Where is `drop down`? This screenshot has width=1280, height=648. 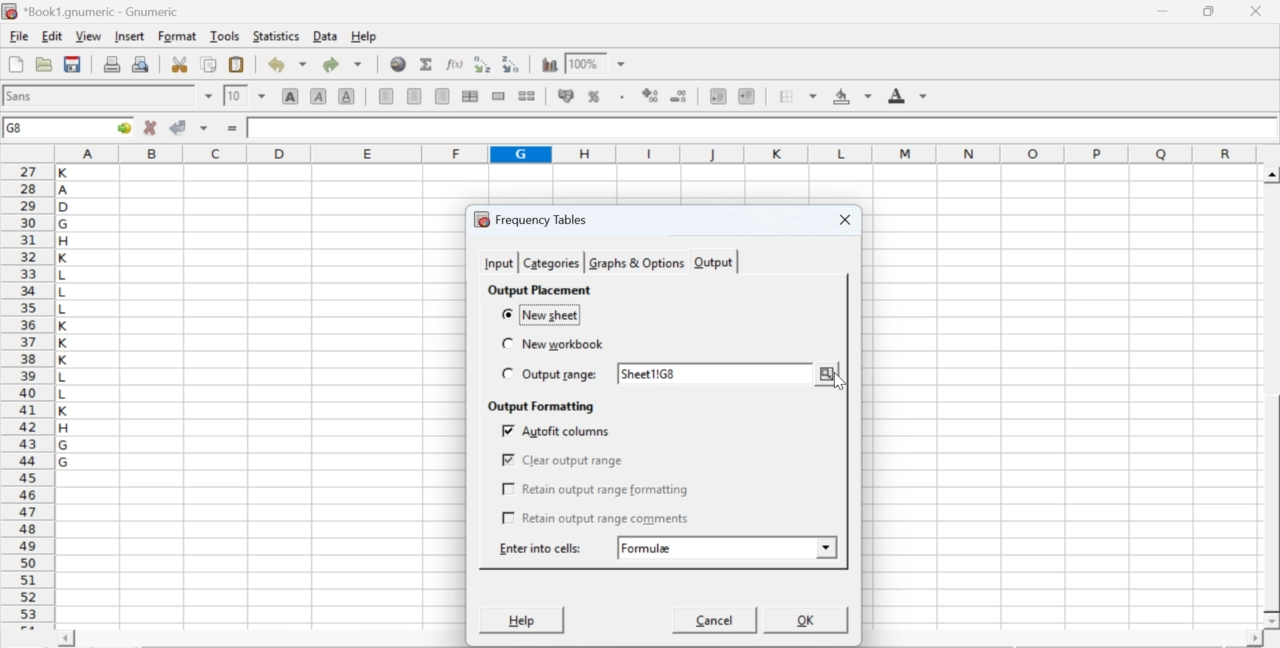 drop down is located at coordinates (262, 95).